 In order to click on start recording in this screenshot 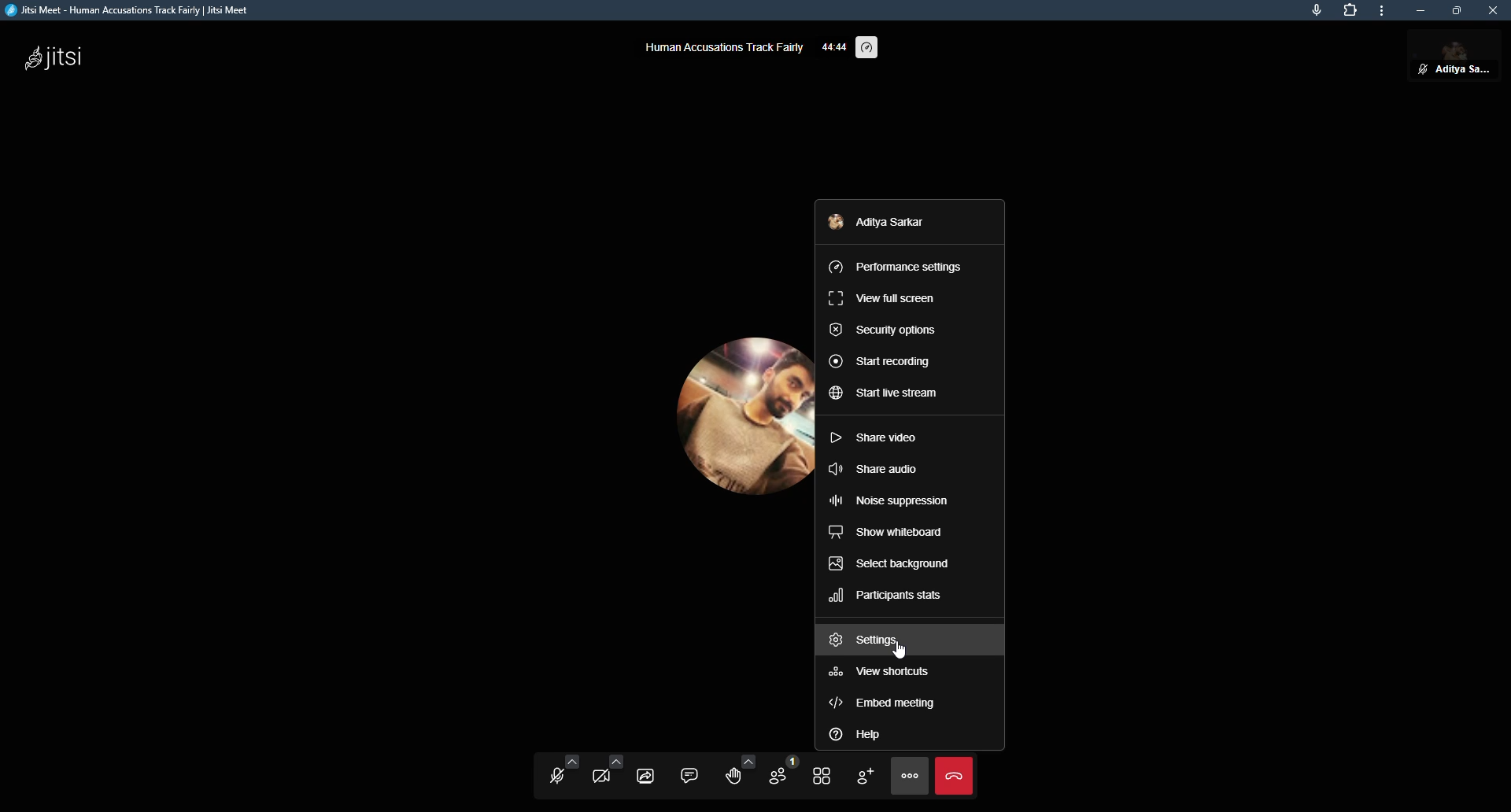, I will do `click(881, 363)`.